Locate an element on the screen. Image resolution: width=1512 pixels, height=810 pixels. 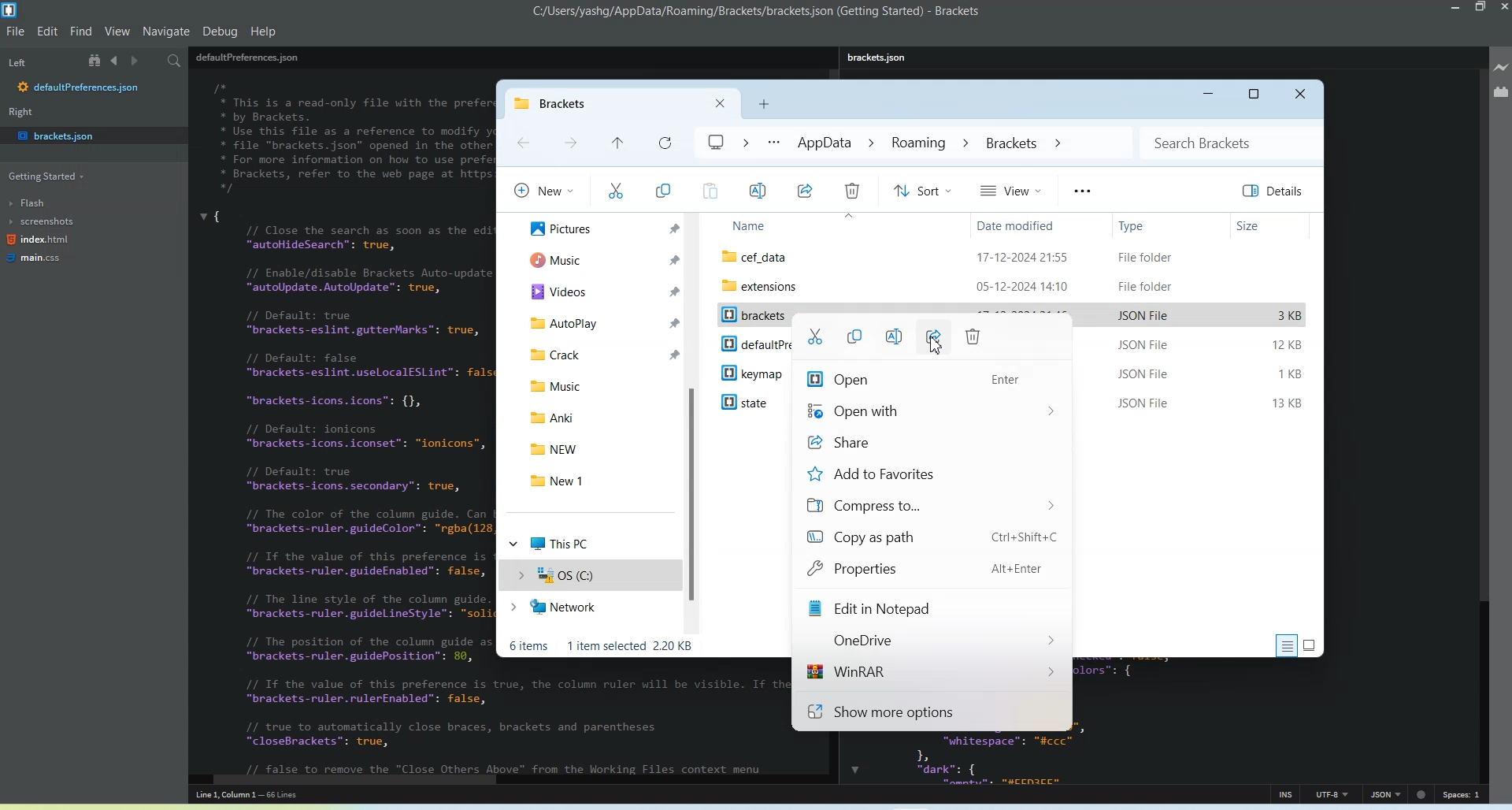
Anki is located at coordinates (593, 416).